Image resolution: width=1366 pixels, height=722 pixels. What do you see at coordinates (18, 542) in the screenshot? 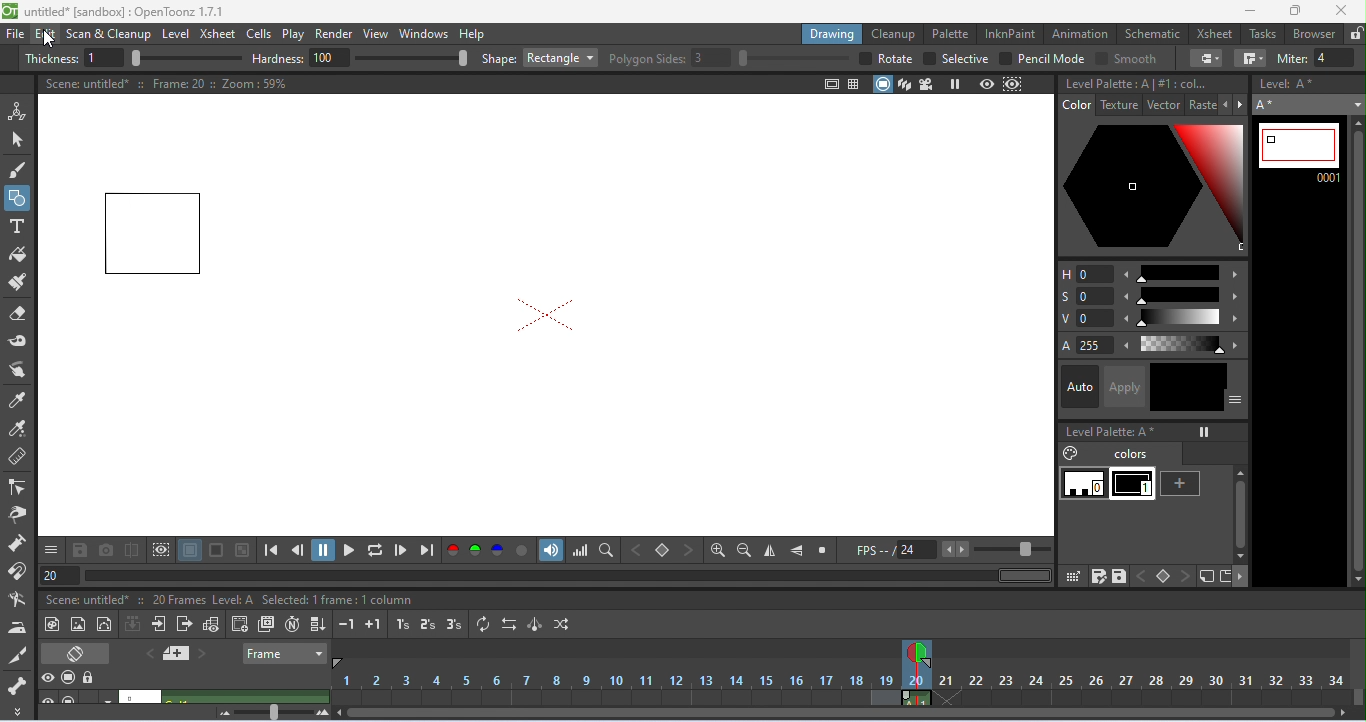
I see `pump` at bounding box center [18, 542].